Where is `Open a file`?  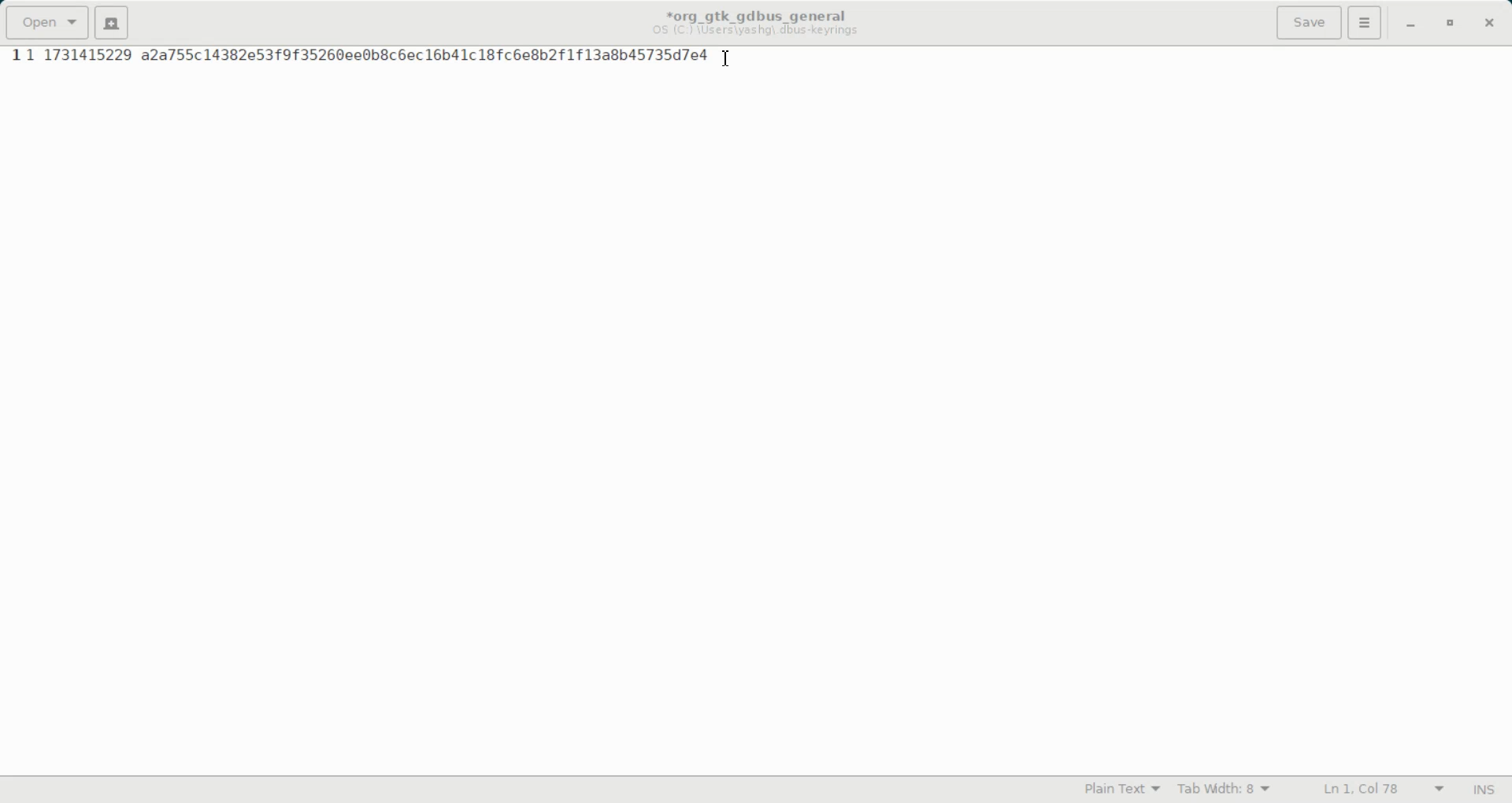 Open a file is located at coordinates (46, 22).